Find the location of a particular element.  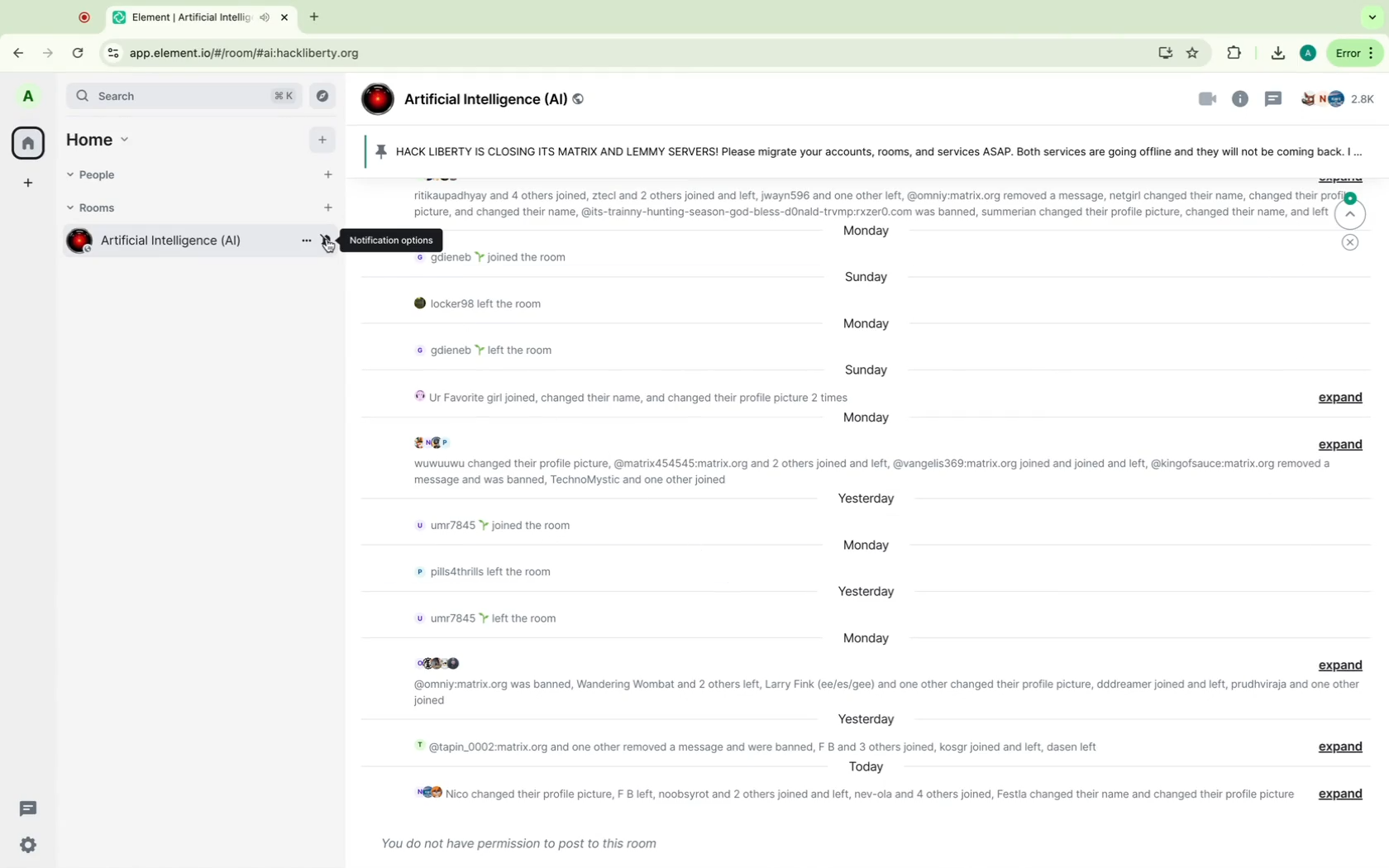

day is located at coordinates (867, 235).